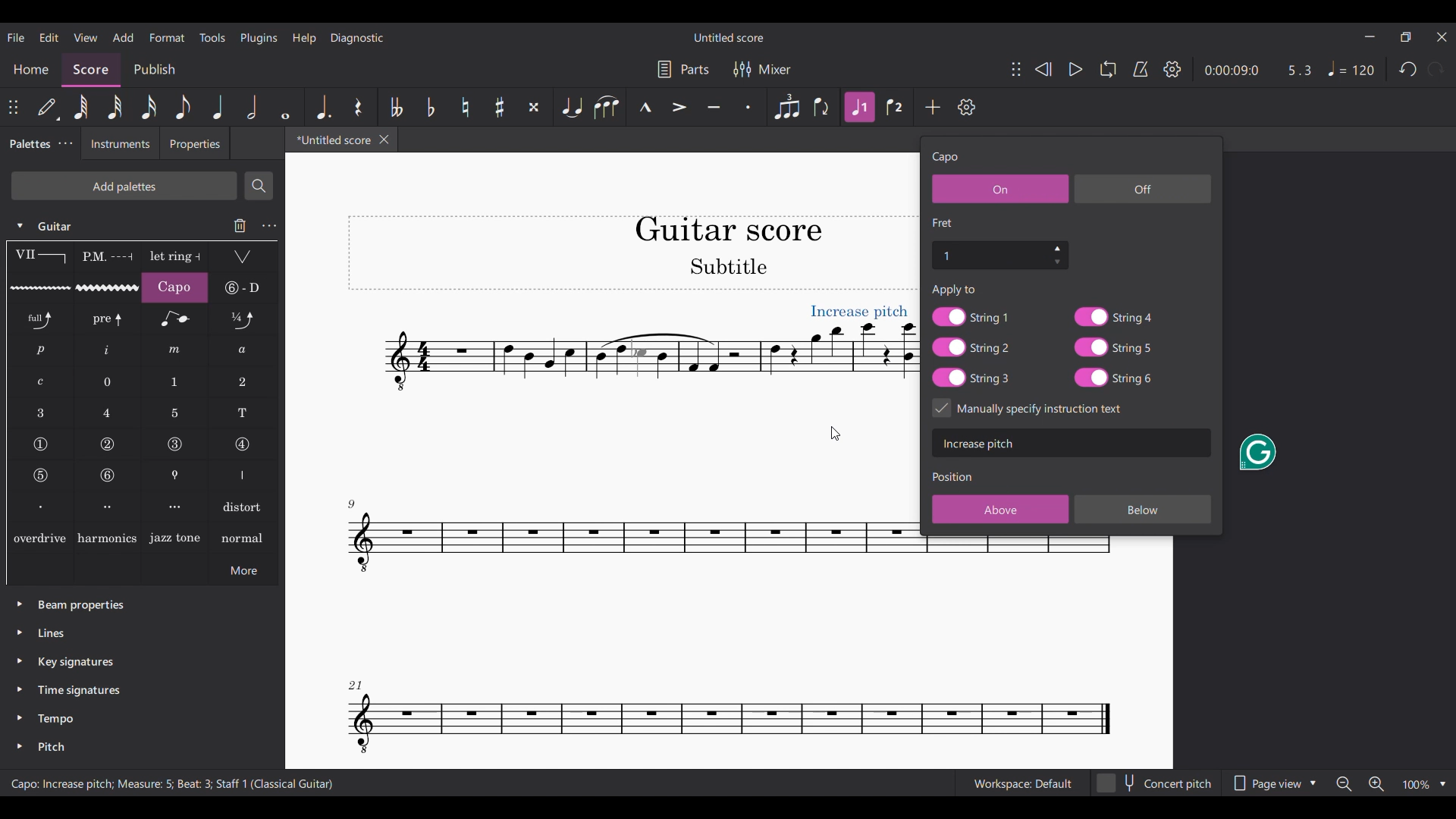 The height and width of the screenshot is (819, 1456). I want to click on Flip direction, so click(823, 107).